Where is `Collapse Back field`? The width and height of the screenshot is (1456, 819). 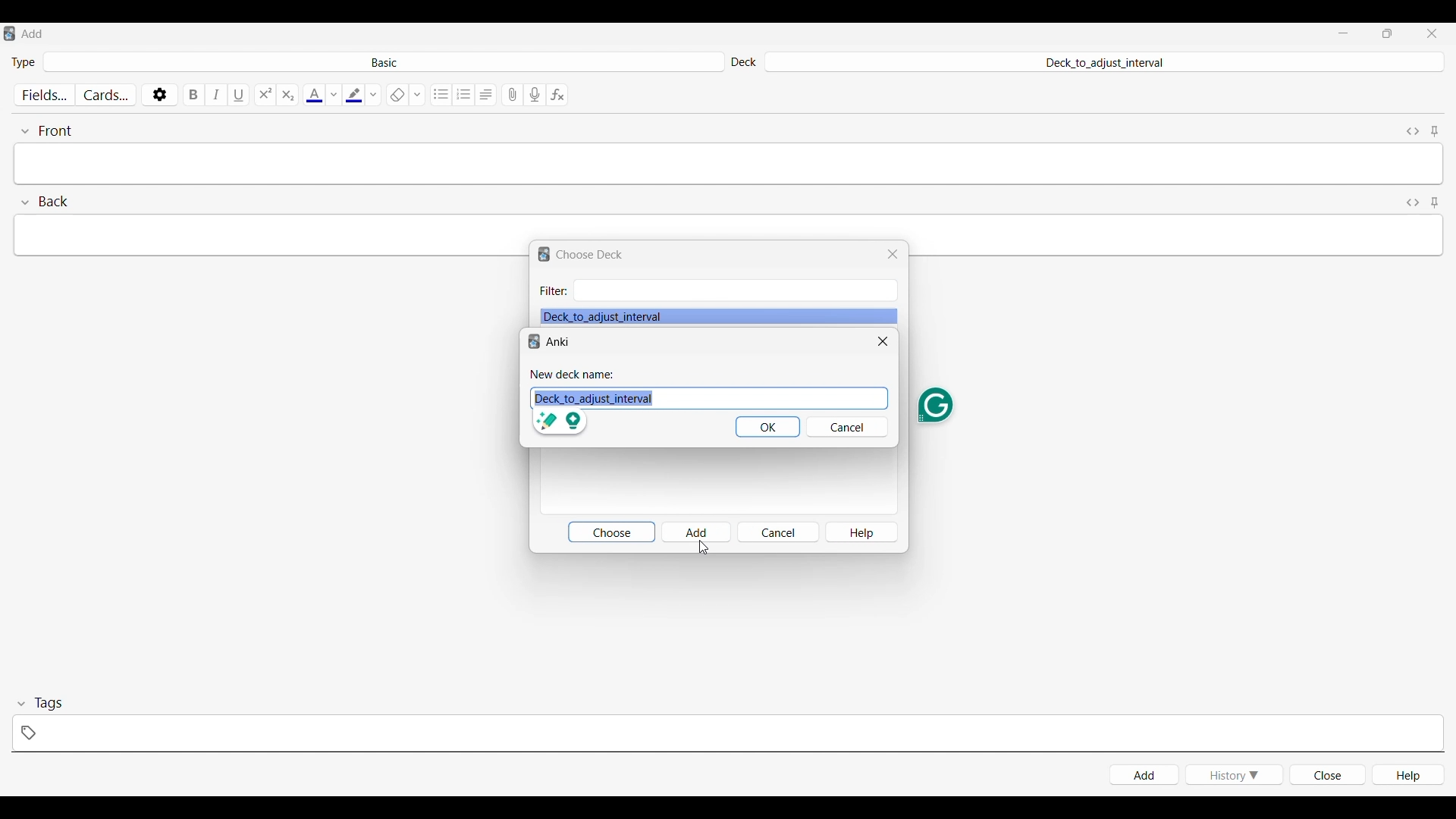
Collapse Back field is located at coordinates (45, 202).